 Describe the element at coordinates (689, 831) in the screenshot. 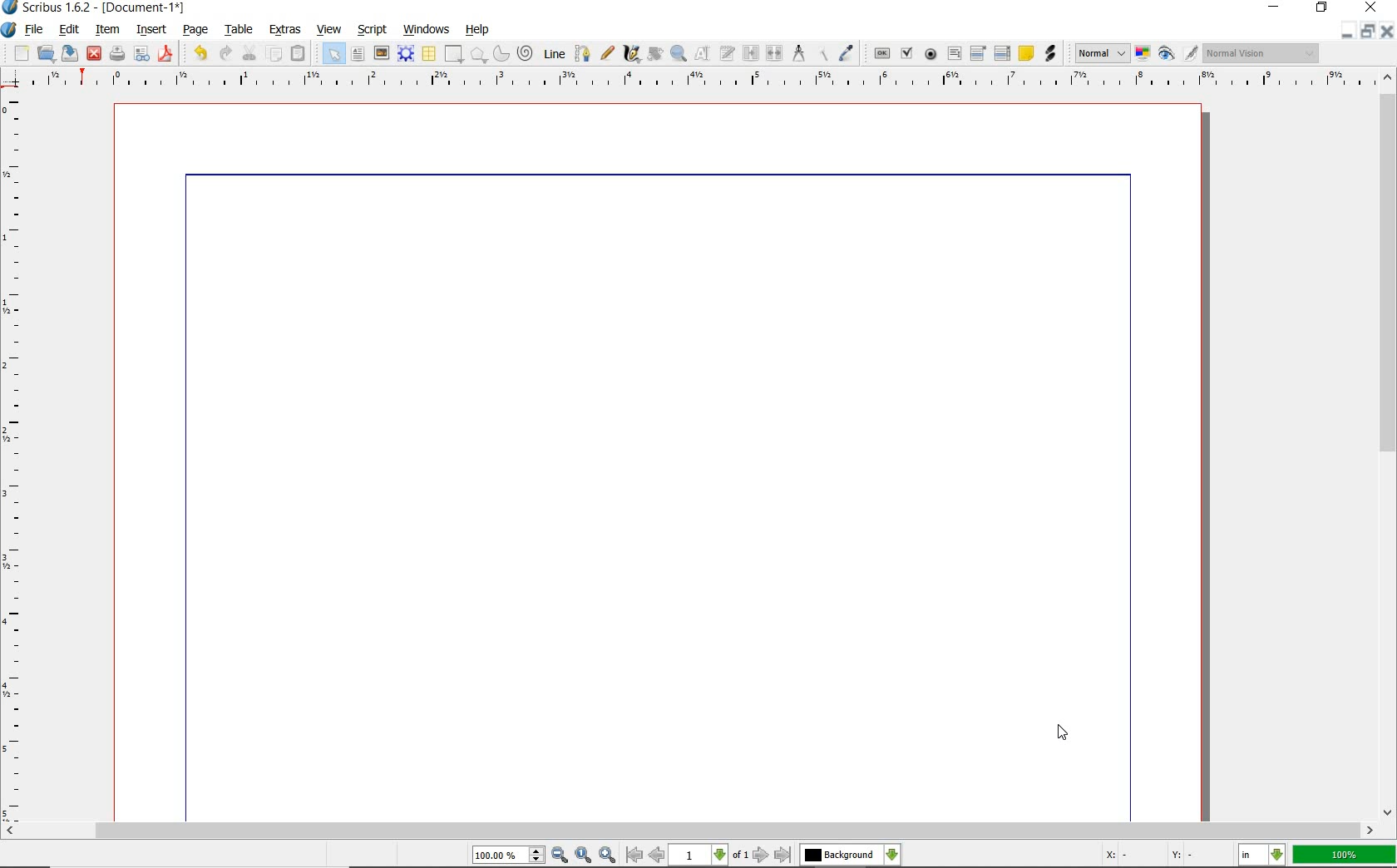

I see `scrollbar` at that location.